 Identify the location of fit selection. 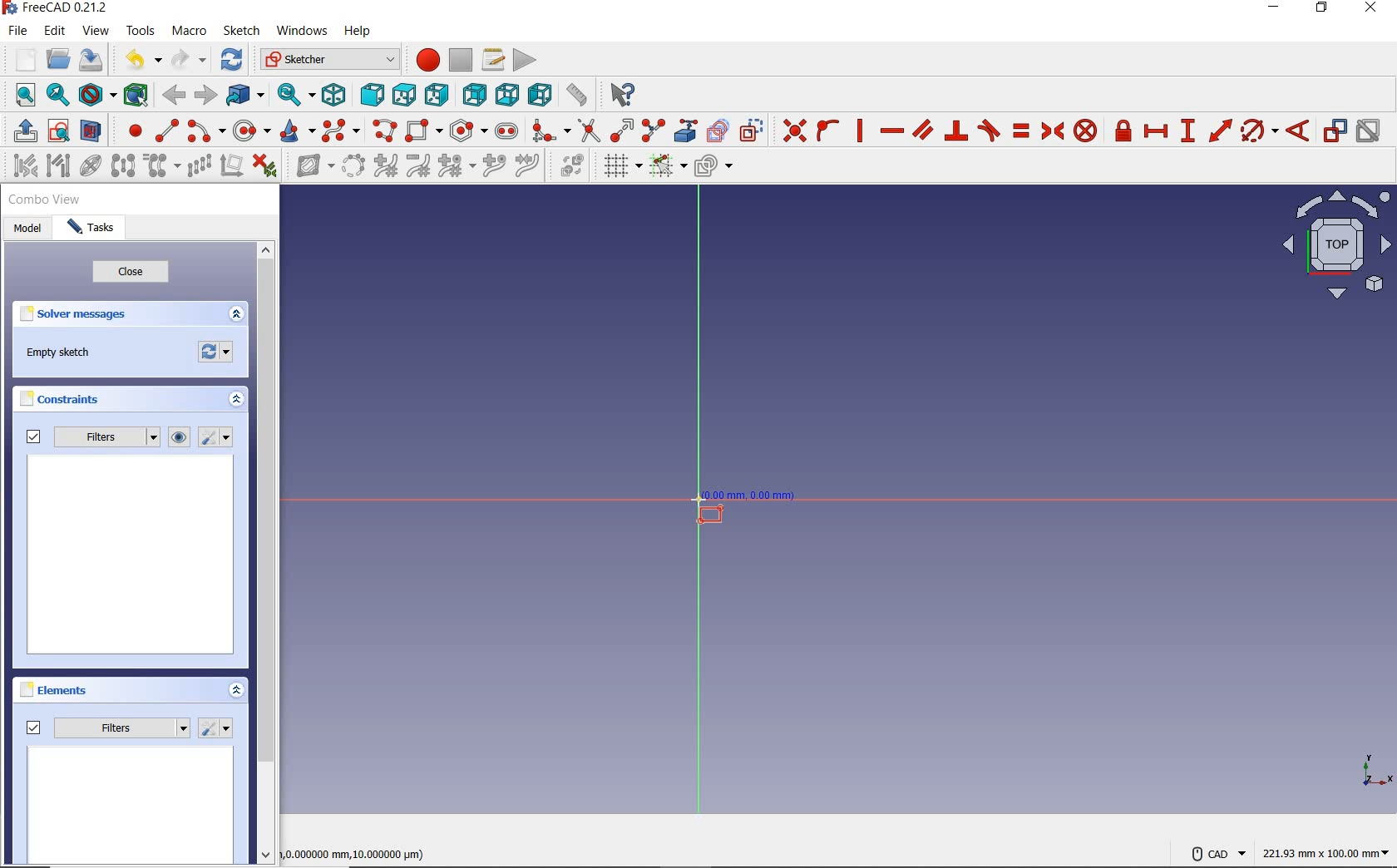
(58, 96).